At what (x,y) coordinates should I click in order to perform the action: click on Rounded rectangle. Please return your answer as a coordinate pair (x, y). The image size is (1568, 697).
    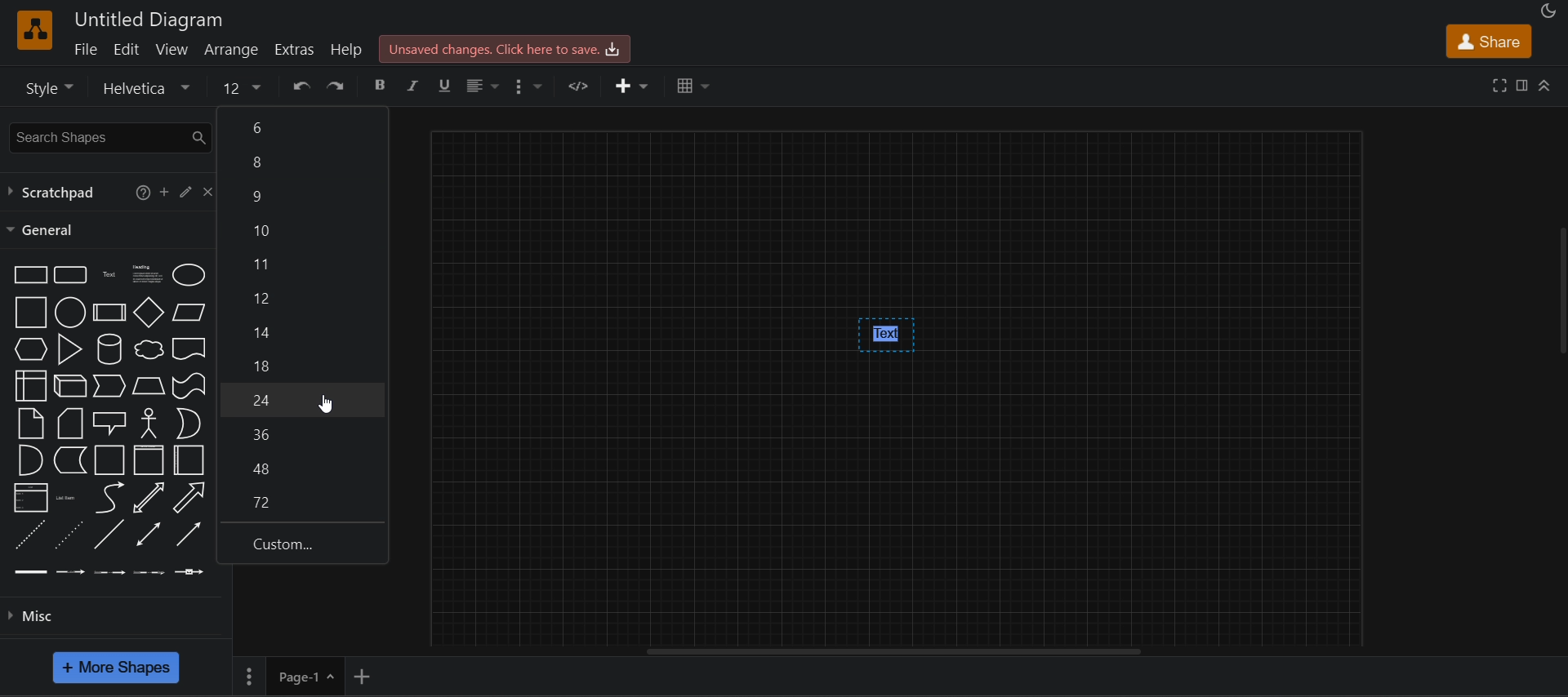
    Looking at the image, I should click on (70, 274).